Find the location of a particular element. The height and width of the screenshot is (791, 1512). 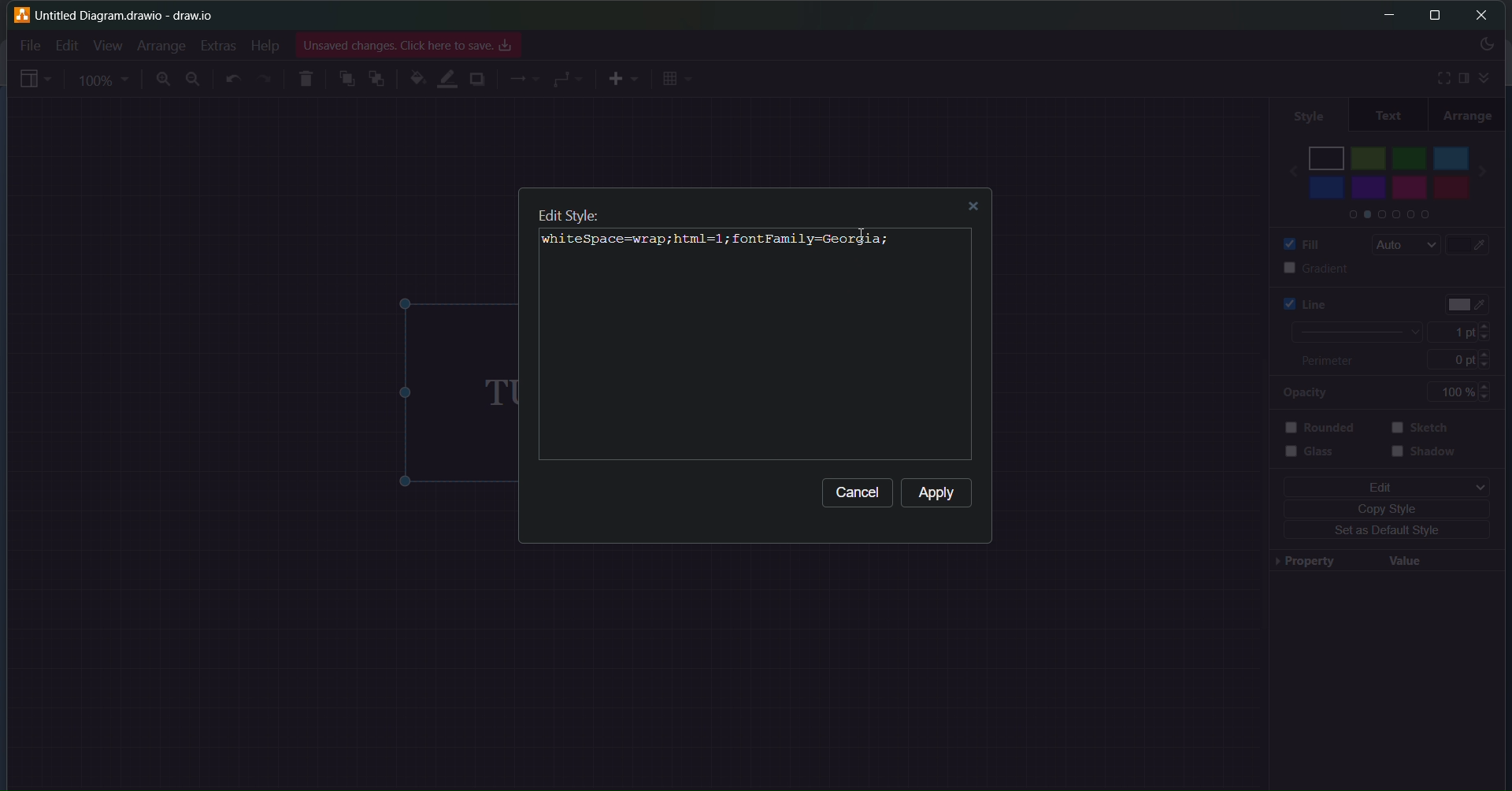

Edit is located at coordinates (63, 45).